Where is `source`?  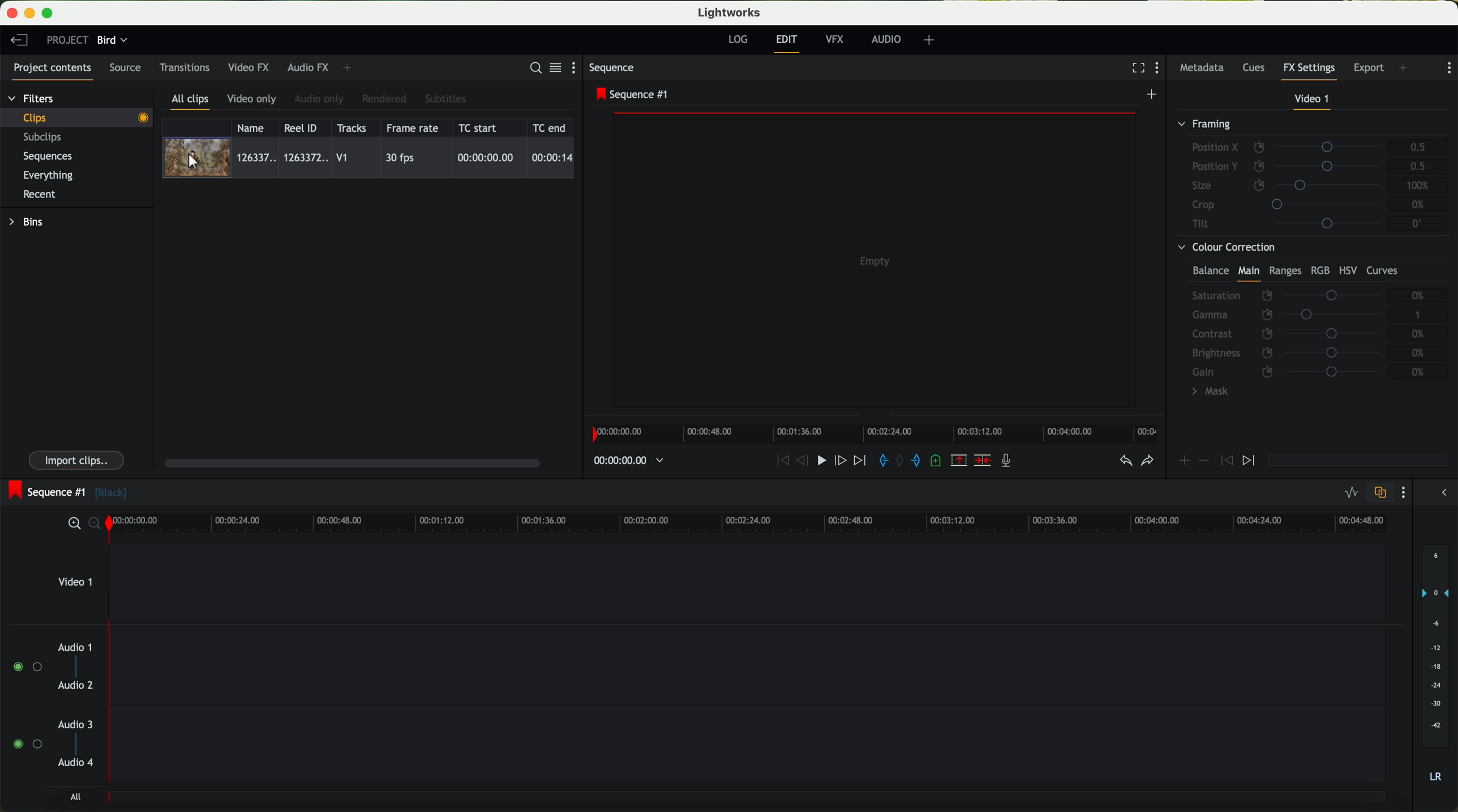 source is located at coordinates (125, 68).